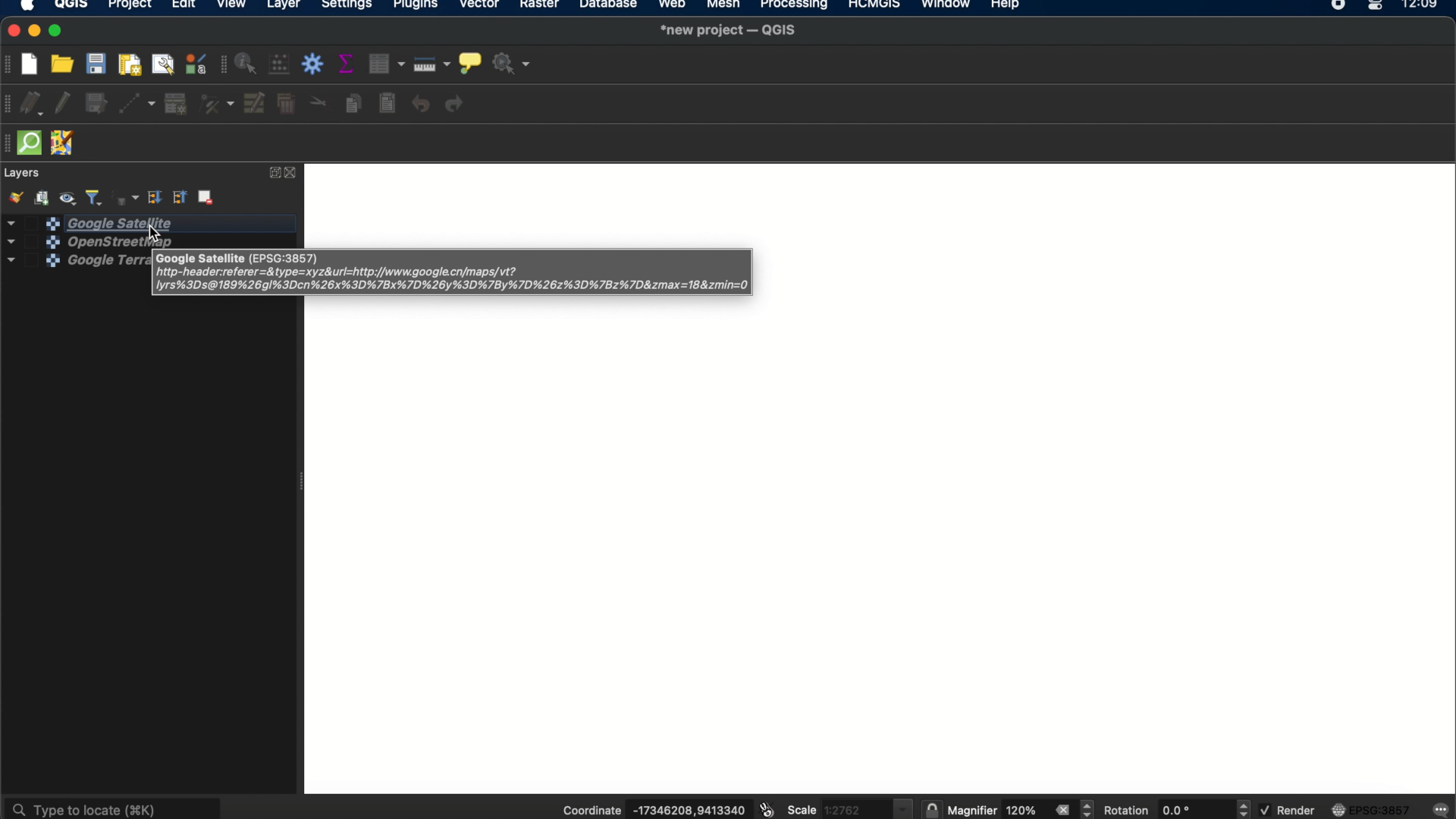  Describe the element at coordinates (1008, 7) in the screenshot. I see `help` at that location.